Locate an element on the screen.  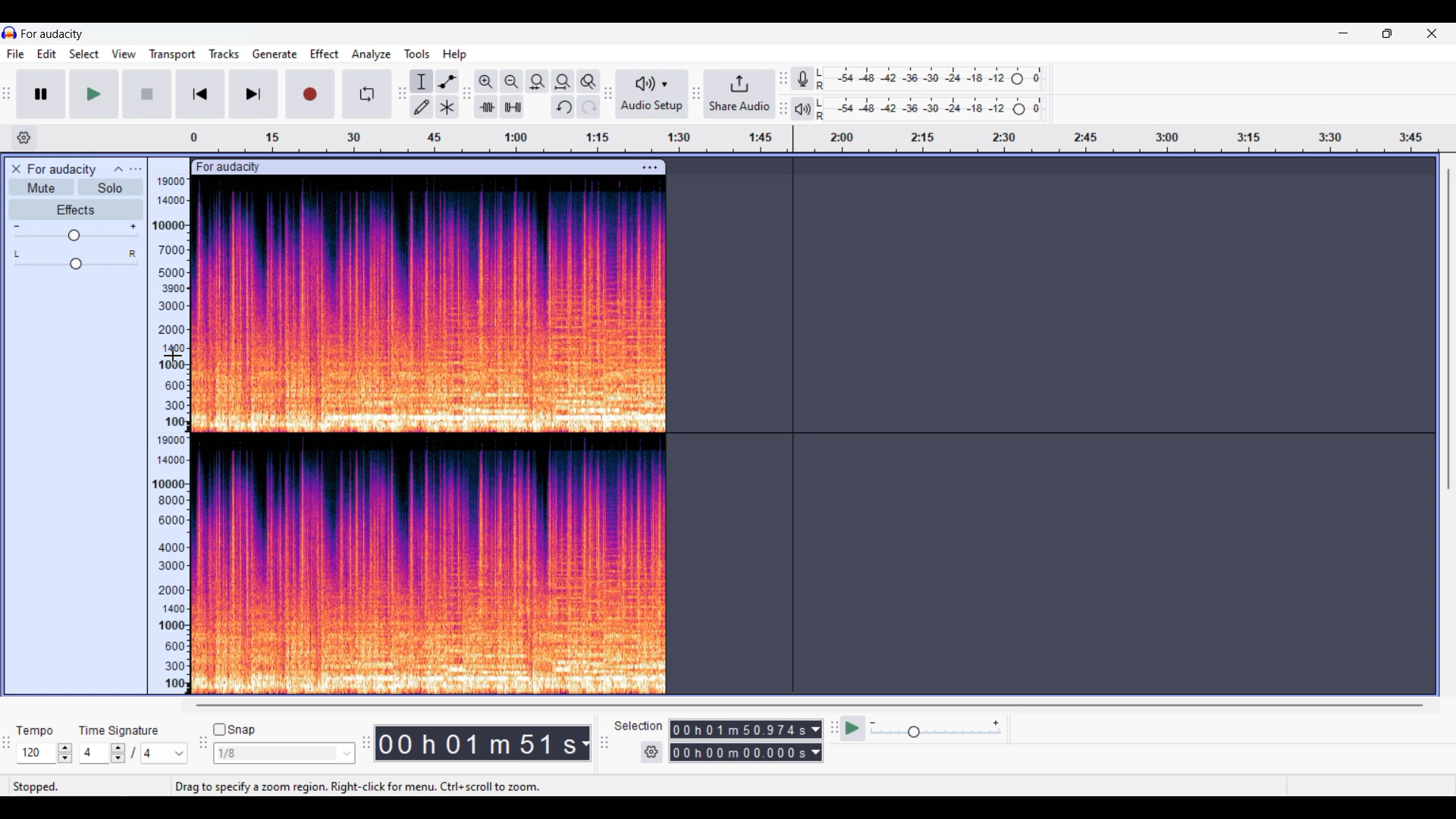
Selection tool is located at coordinates (421, 80).